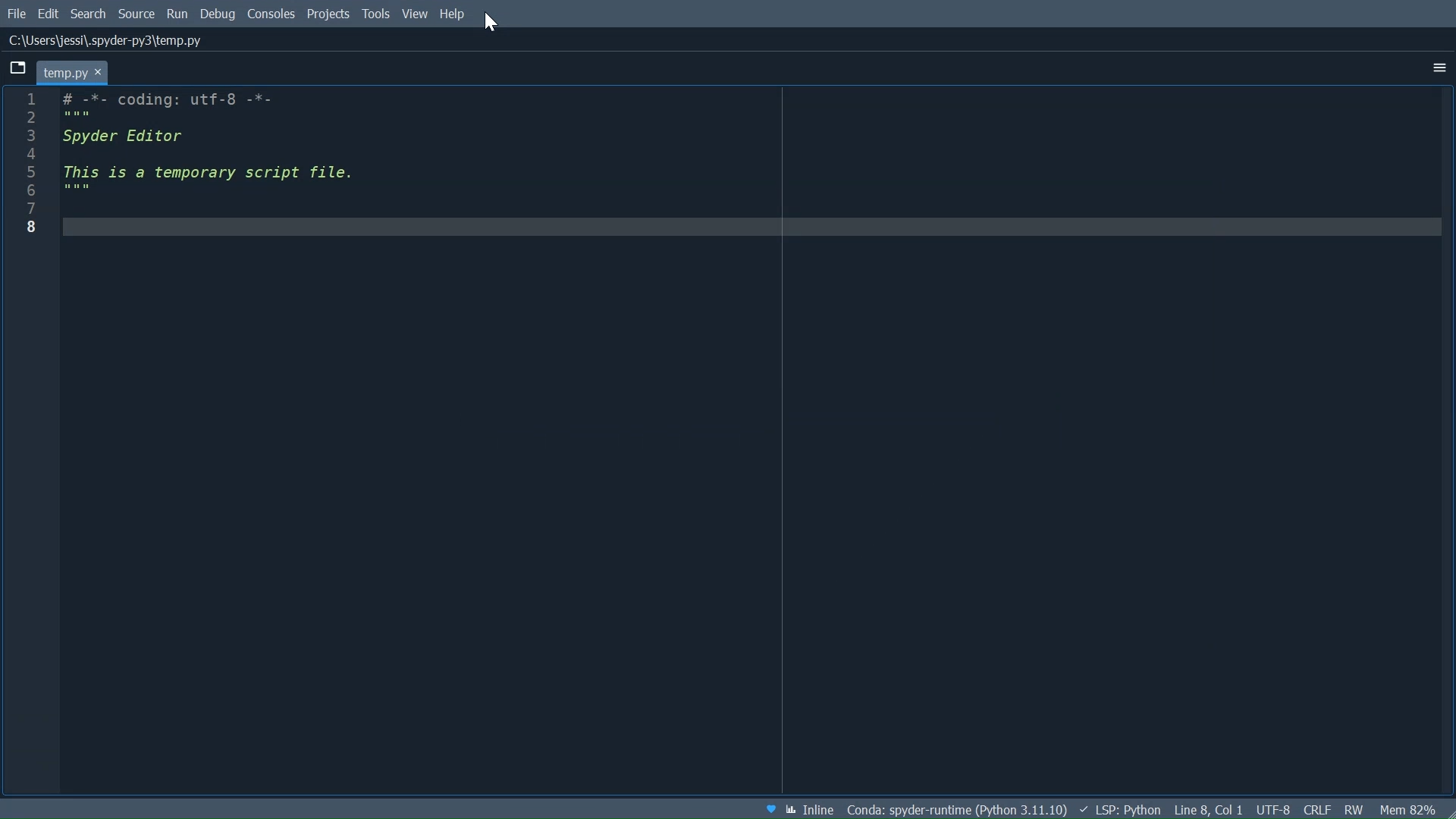 The height and width of the screenshot is (819, 1456). What do you see at coordinates (274, 14) in the screenshot?
I see `console` at bounding box center [274, 14].